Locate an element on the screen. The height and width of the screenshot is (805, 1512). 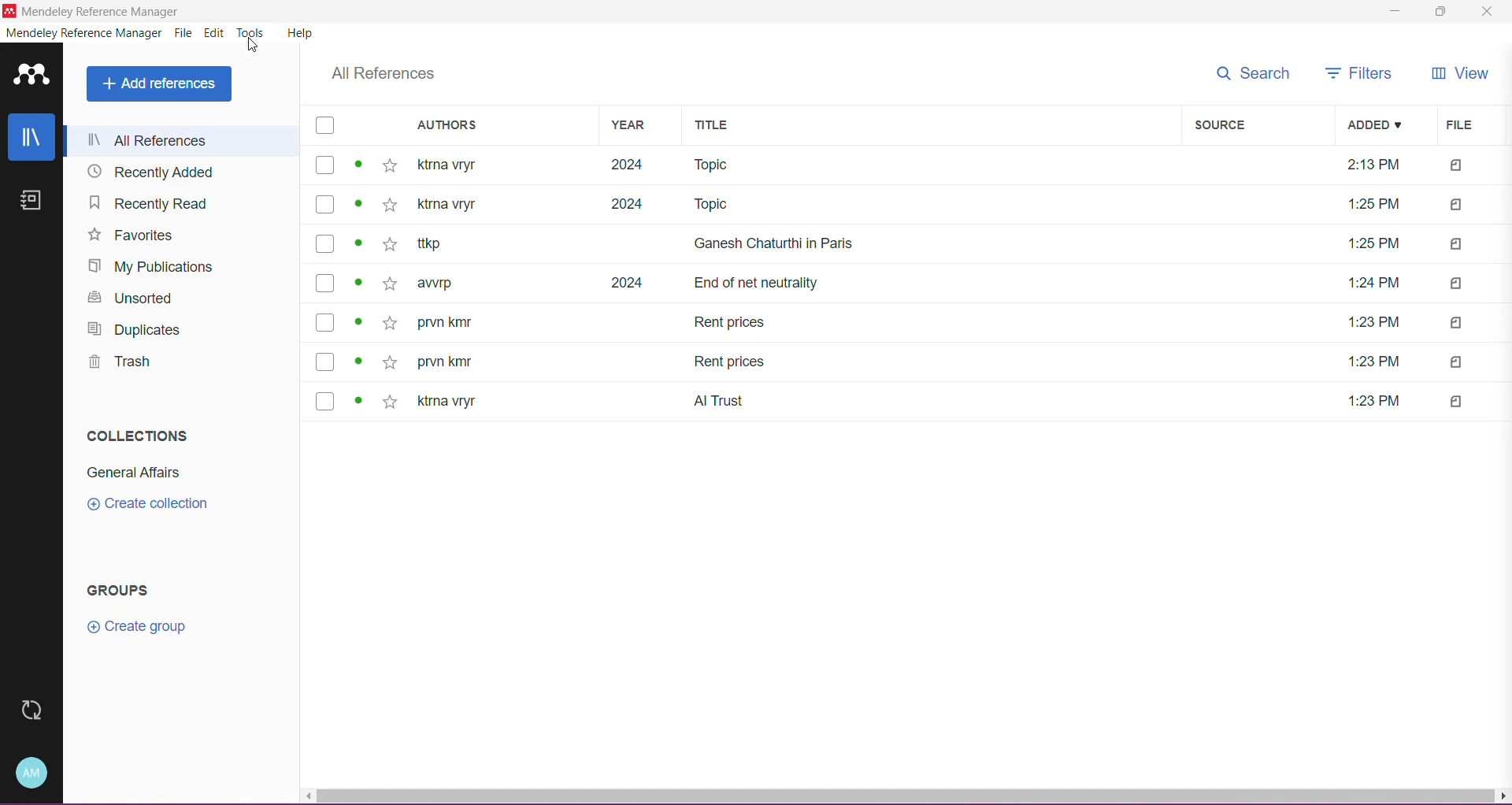
Click to view Info is located at coordinates (360, 167).